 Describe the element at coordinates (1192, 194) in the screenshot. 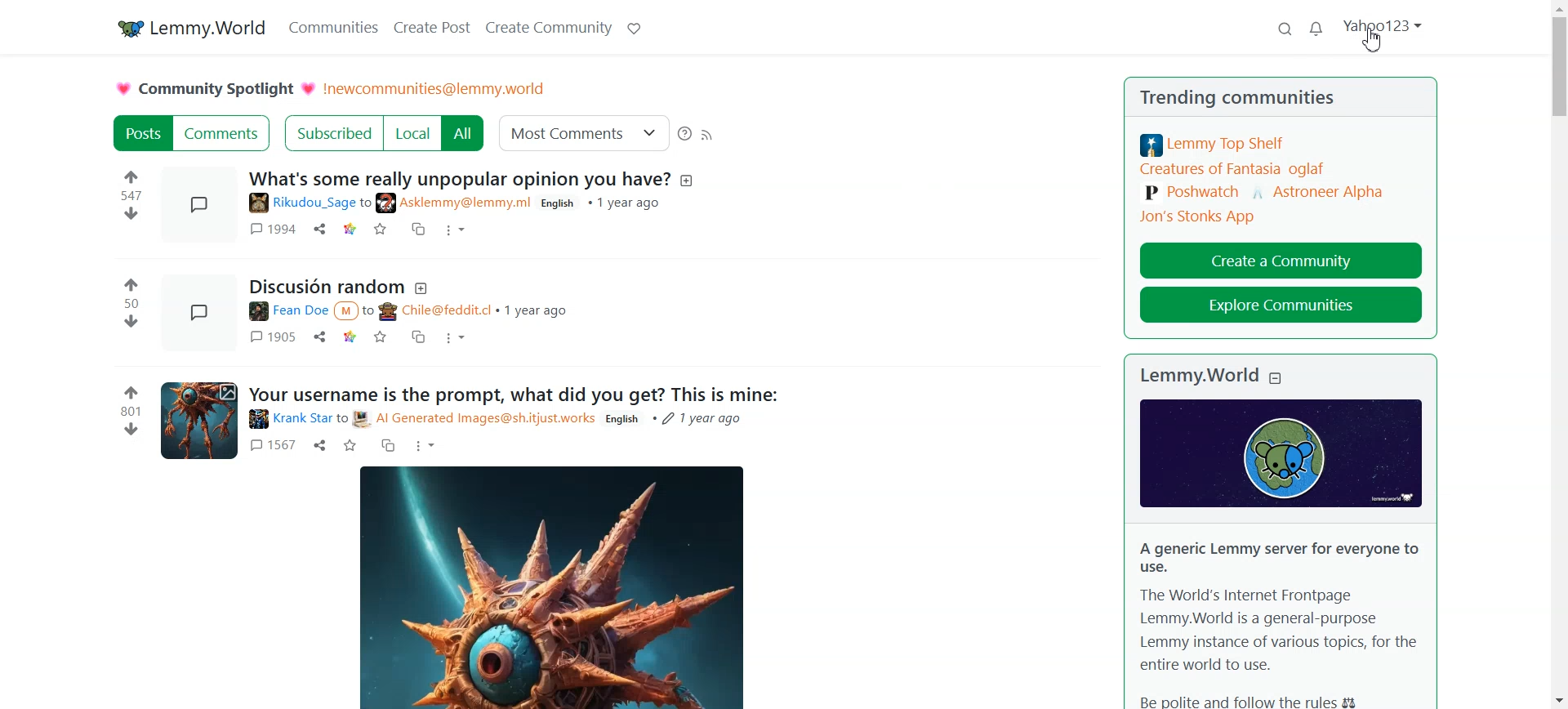

I see `Poshwatch` at that location.